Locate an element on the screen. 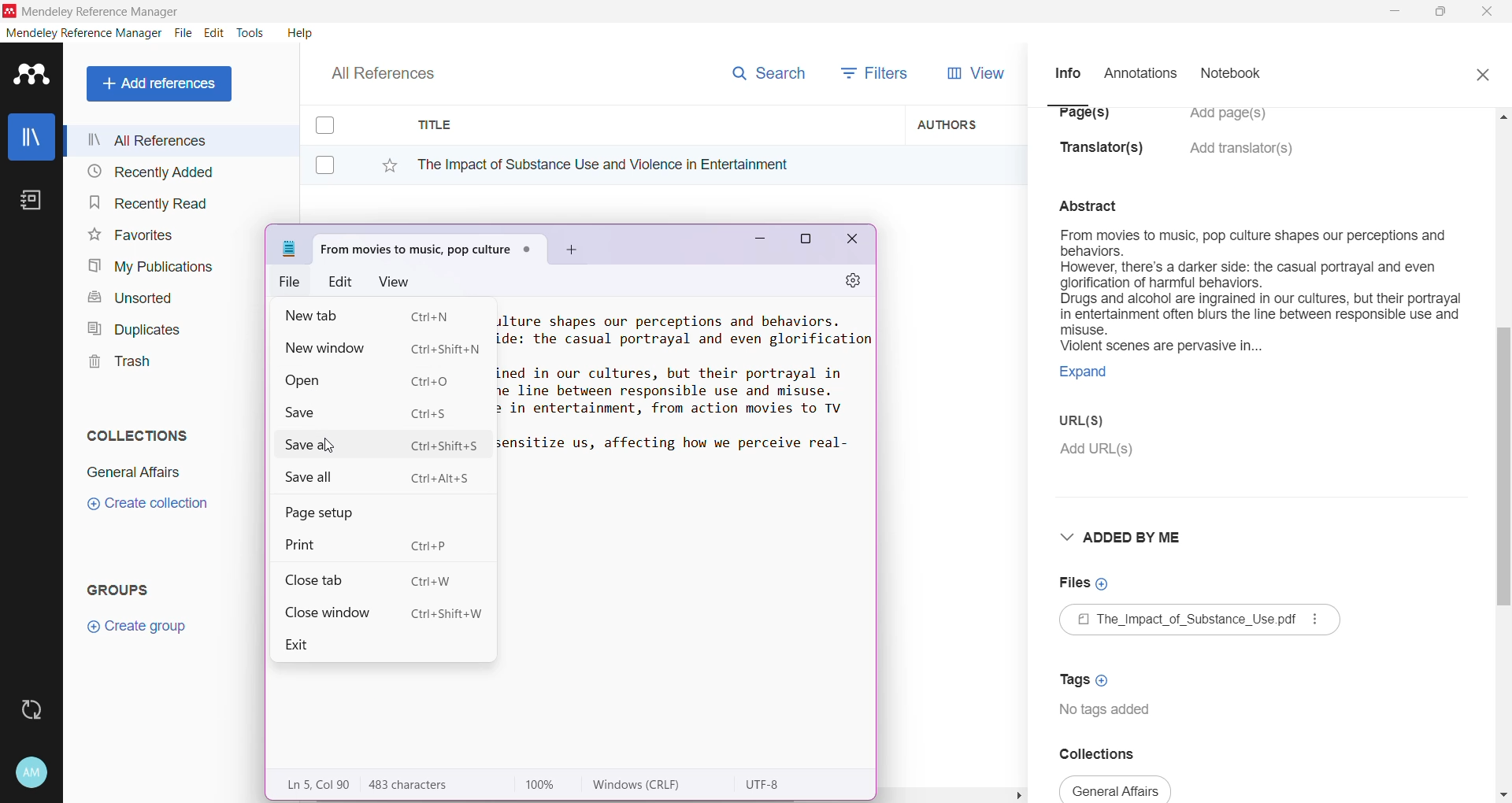 This screenshot has width=1512, height=803. Available File is located at coordinates (1202, 622).